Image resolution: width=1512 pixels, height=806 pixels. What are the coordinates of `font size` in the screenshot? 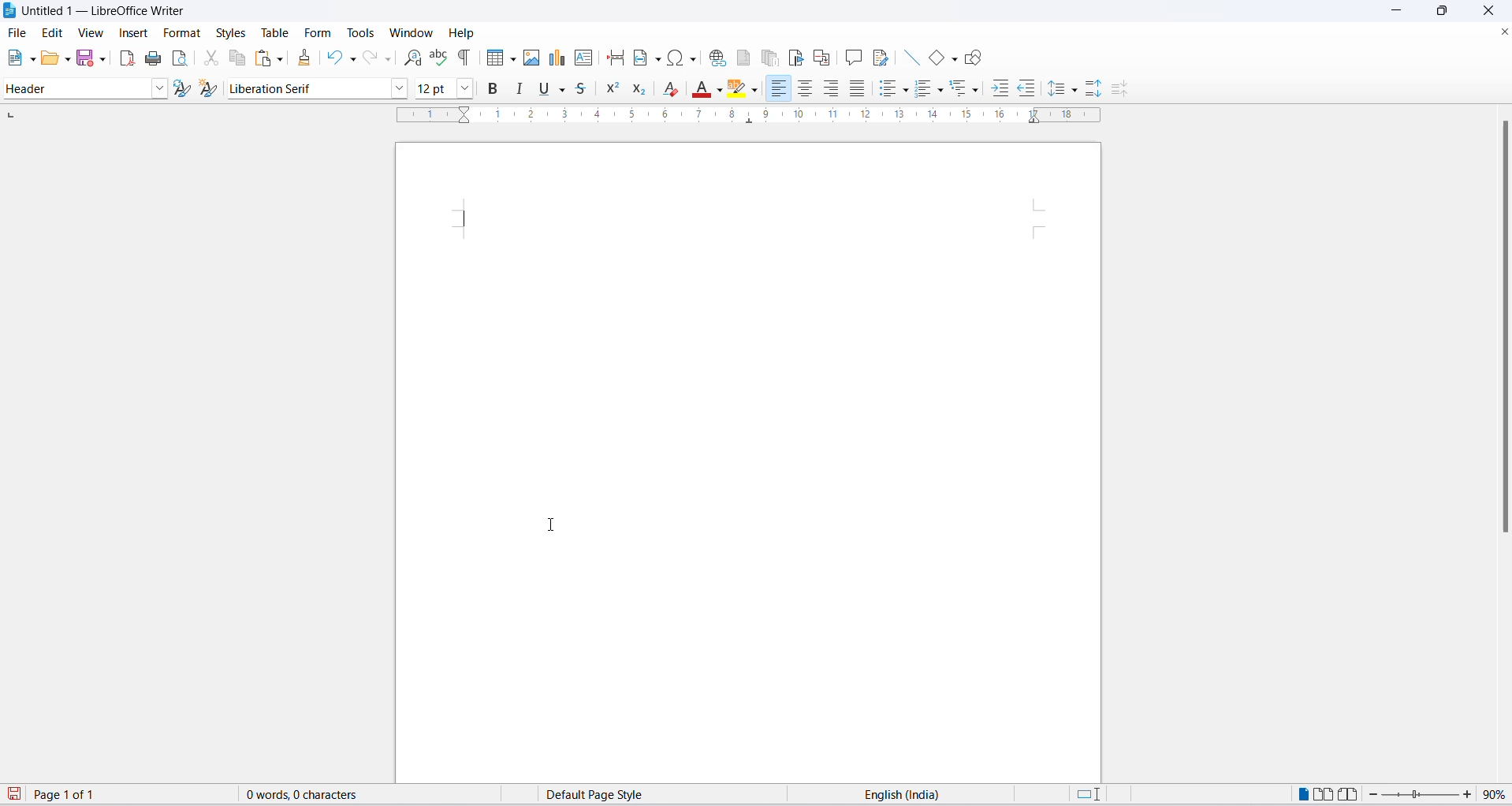 It's located at (435, 88).